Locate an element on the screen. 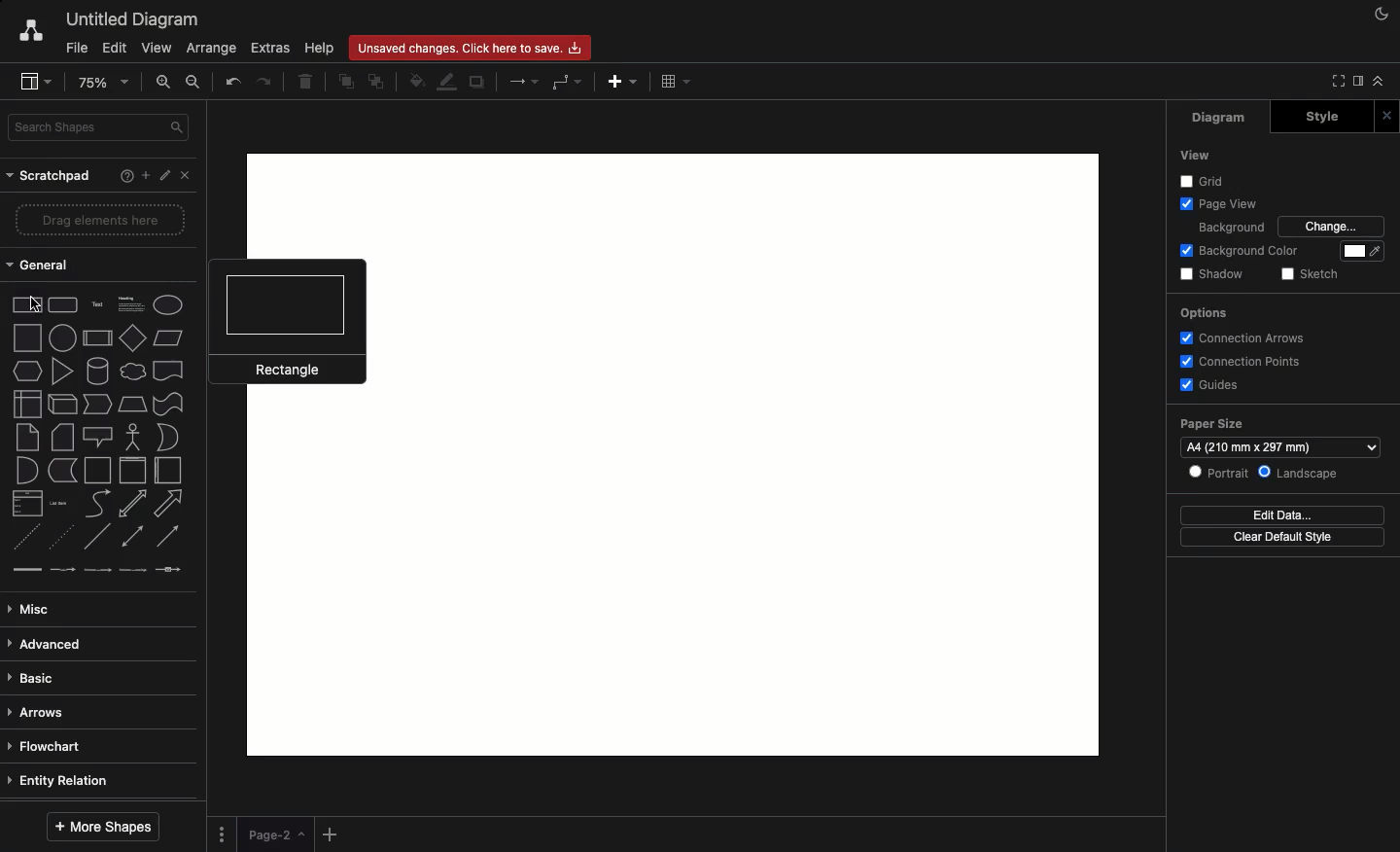  connector with label is located at coordinates (63, 569).